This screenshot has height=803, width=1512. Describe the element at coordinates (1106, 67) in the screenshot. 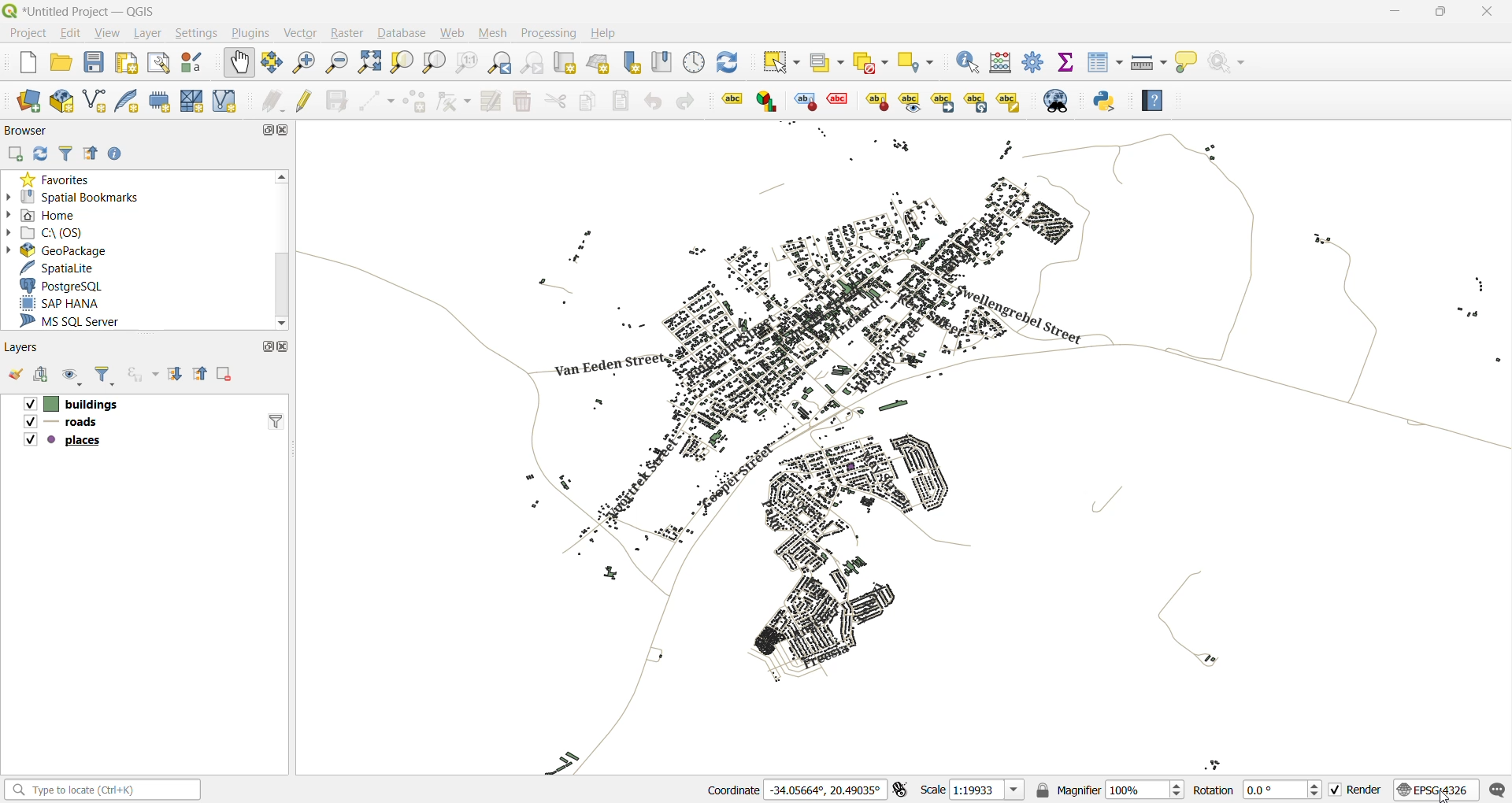

I see `attributes table` at that location.